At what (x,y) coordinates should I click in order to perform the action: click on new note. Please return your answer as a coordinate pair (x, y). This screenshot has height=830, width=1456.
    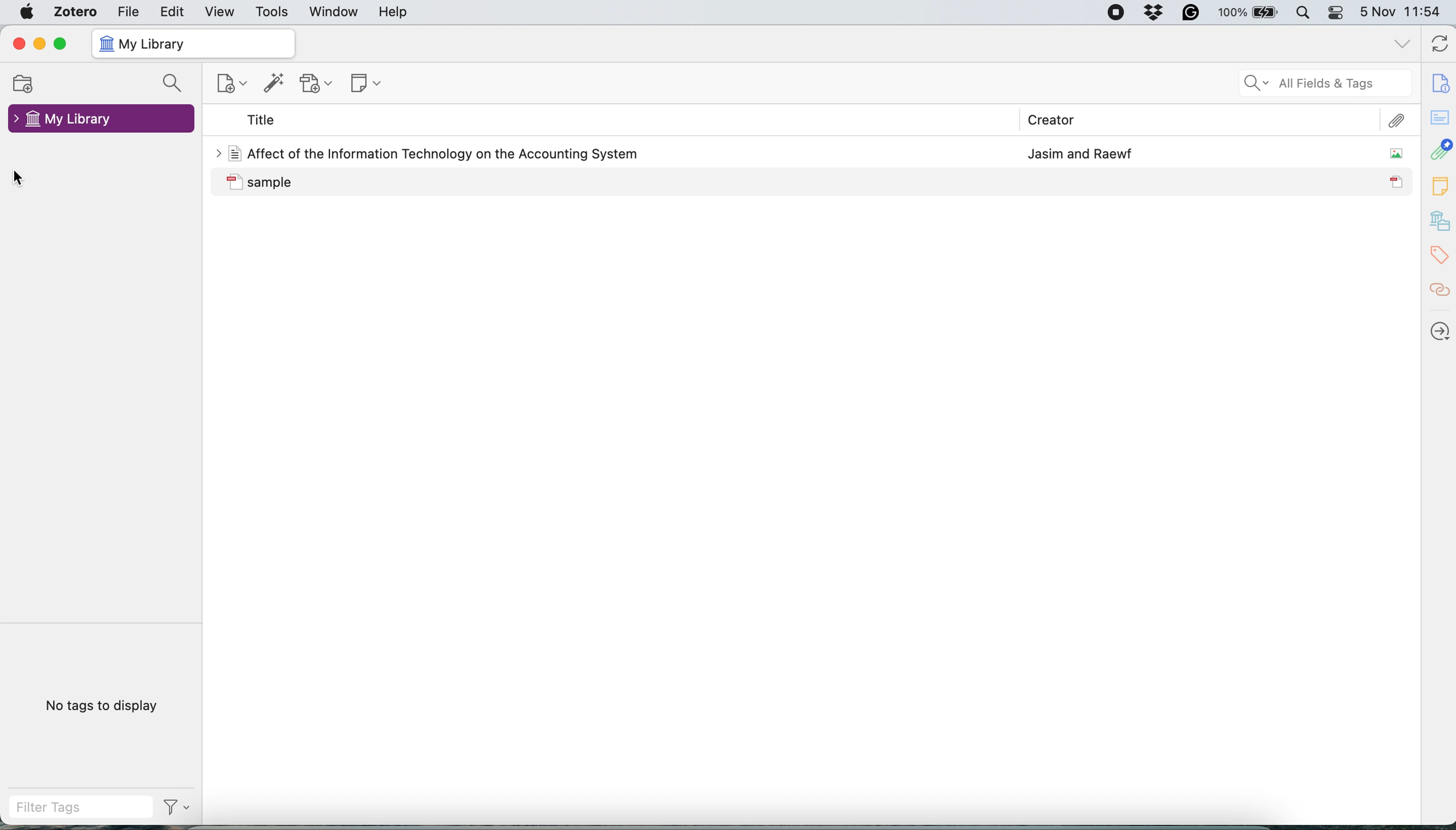
    Looking at the image, I should click on (367, 82).